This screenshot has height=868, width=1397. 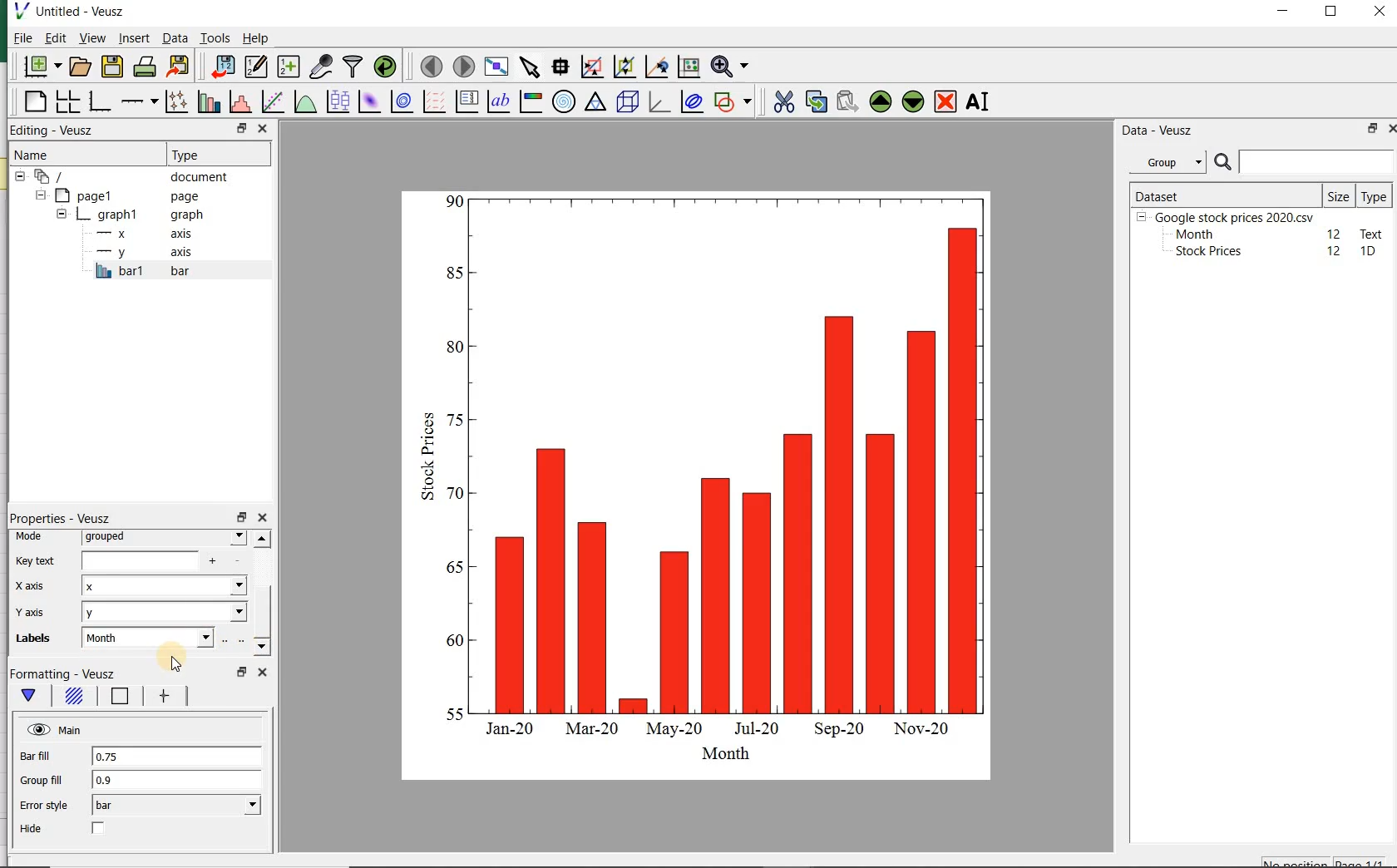 I want to click on reload linked datasets, so click(x=388, y=67).